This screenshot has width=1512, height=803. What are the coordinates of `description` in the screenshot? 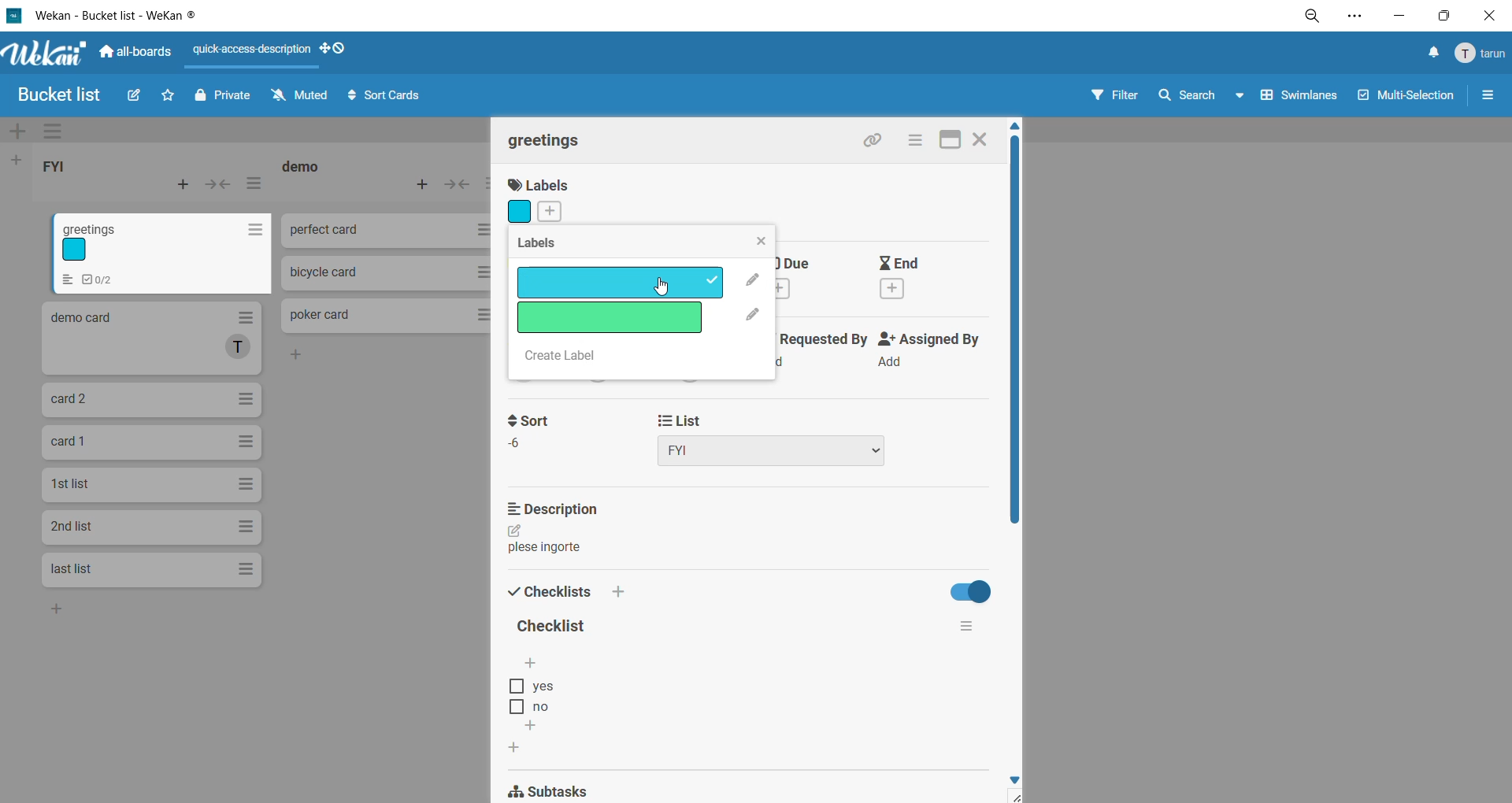 It's located at (551, 527).